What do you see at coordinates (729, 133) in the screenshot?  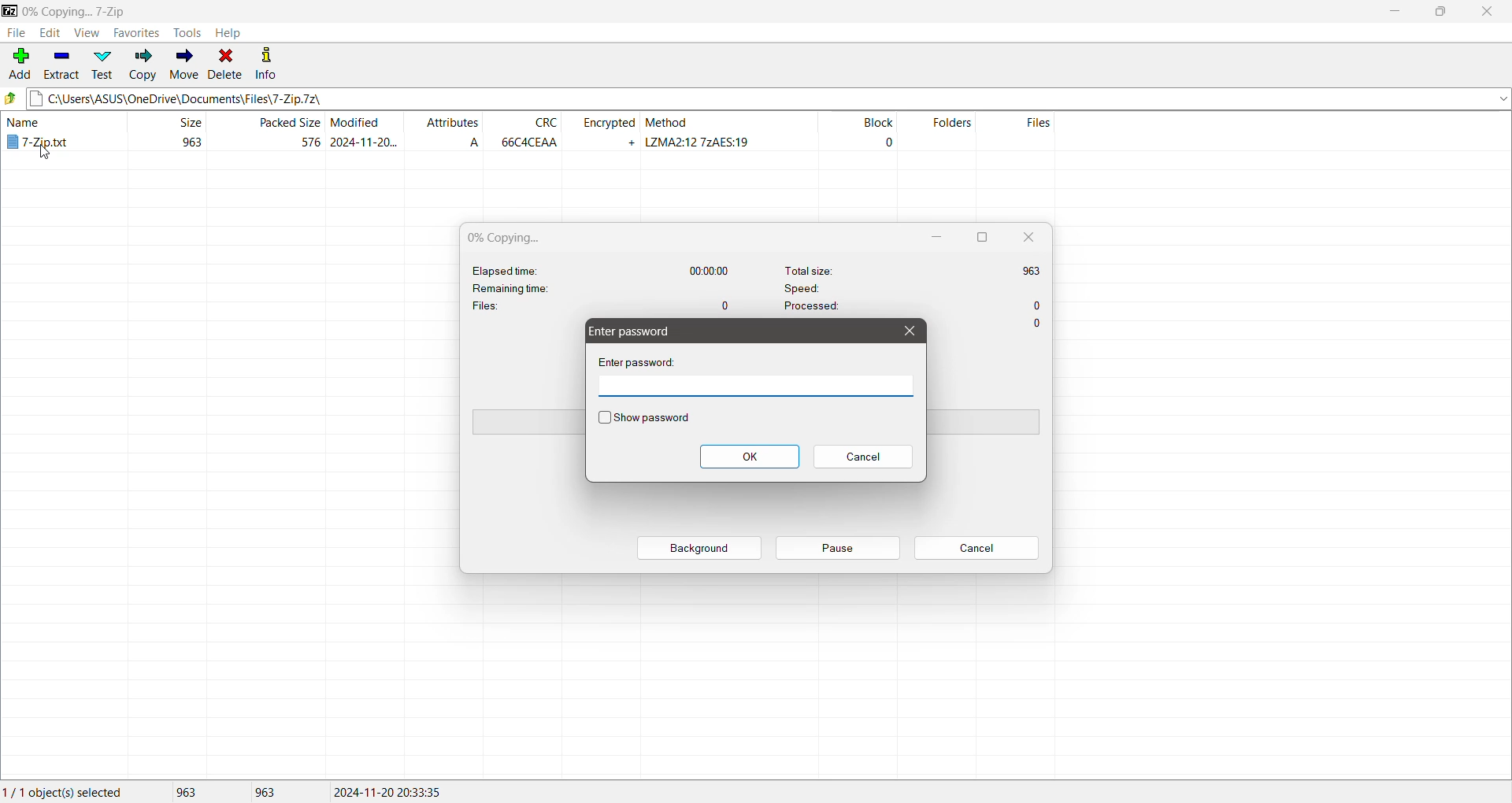 I see `Encryption Method` at bounding box center [729, 133].